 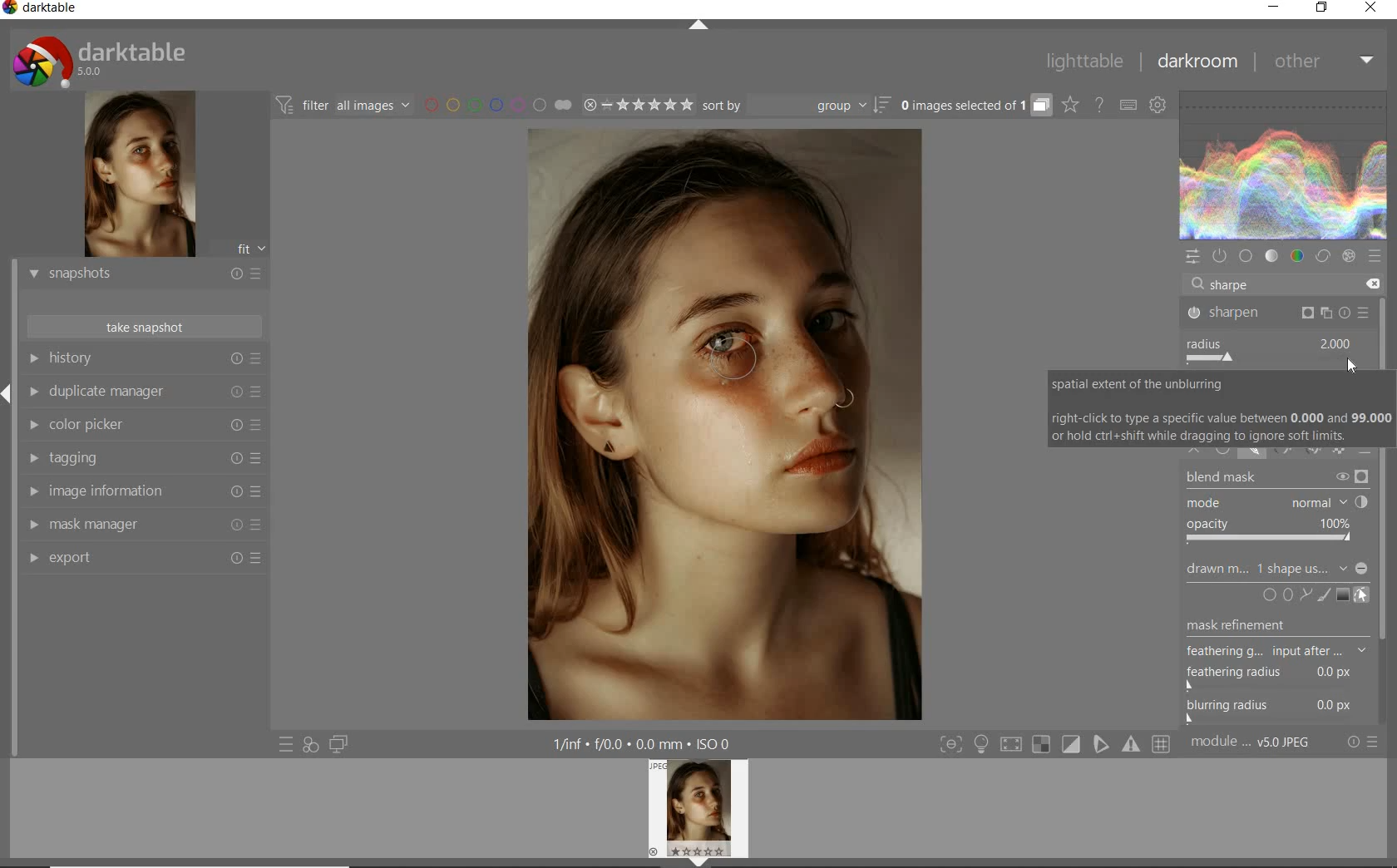 What do you see at coordinates (1197, 449) in the screenshot?
I see `OFF` at bounding box center [1197, 449].